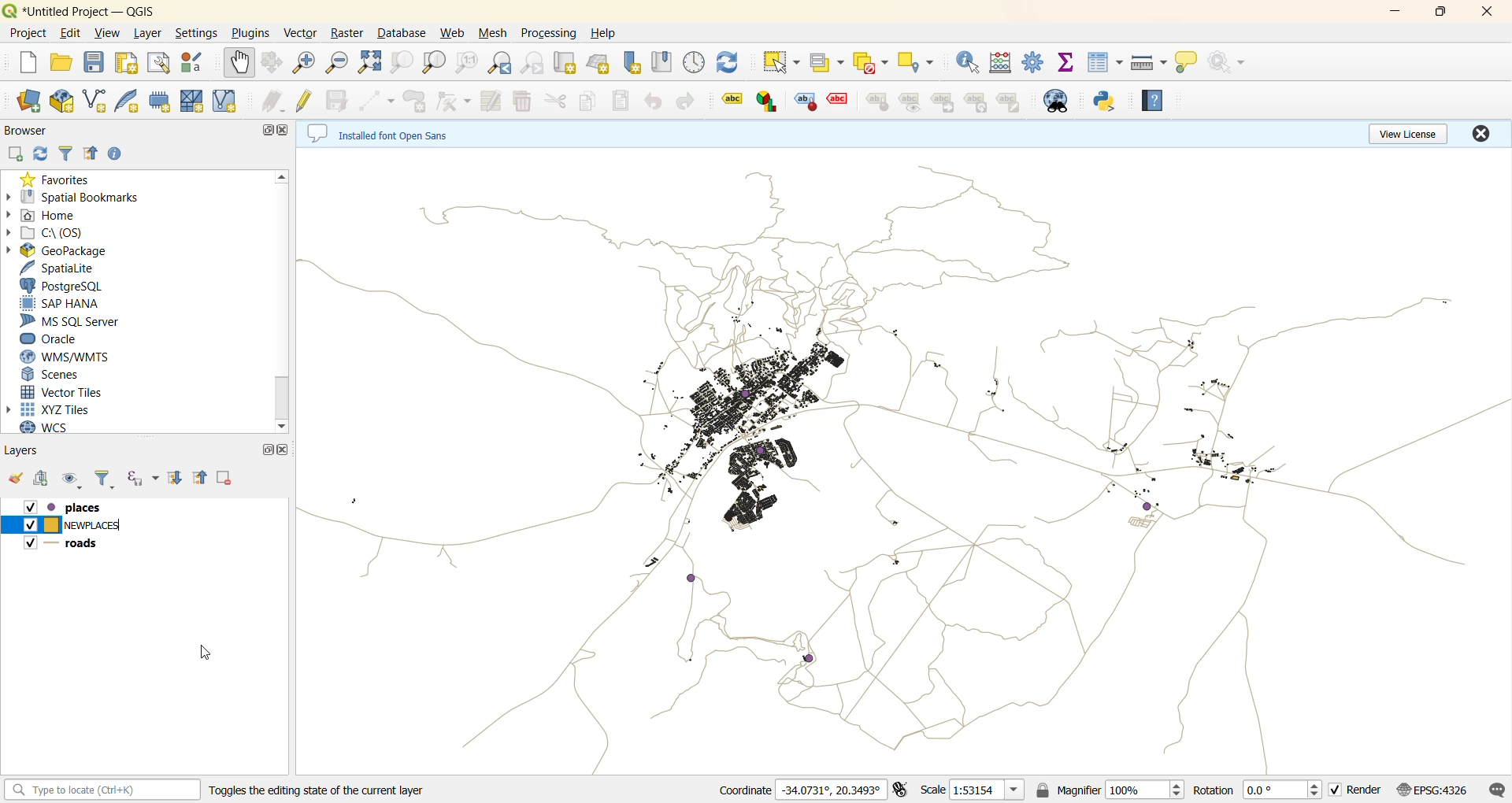 The height and width of the screenshot is (803, 1512). Describe the element at coordinates (415, 100) in the screenshot. I see `add polygon` at that location.